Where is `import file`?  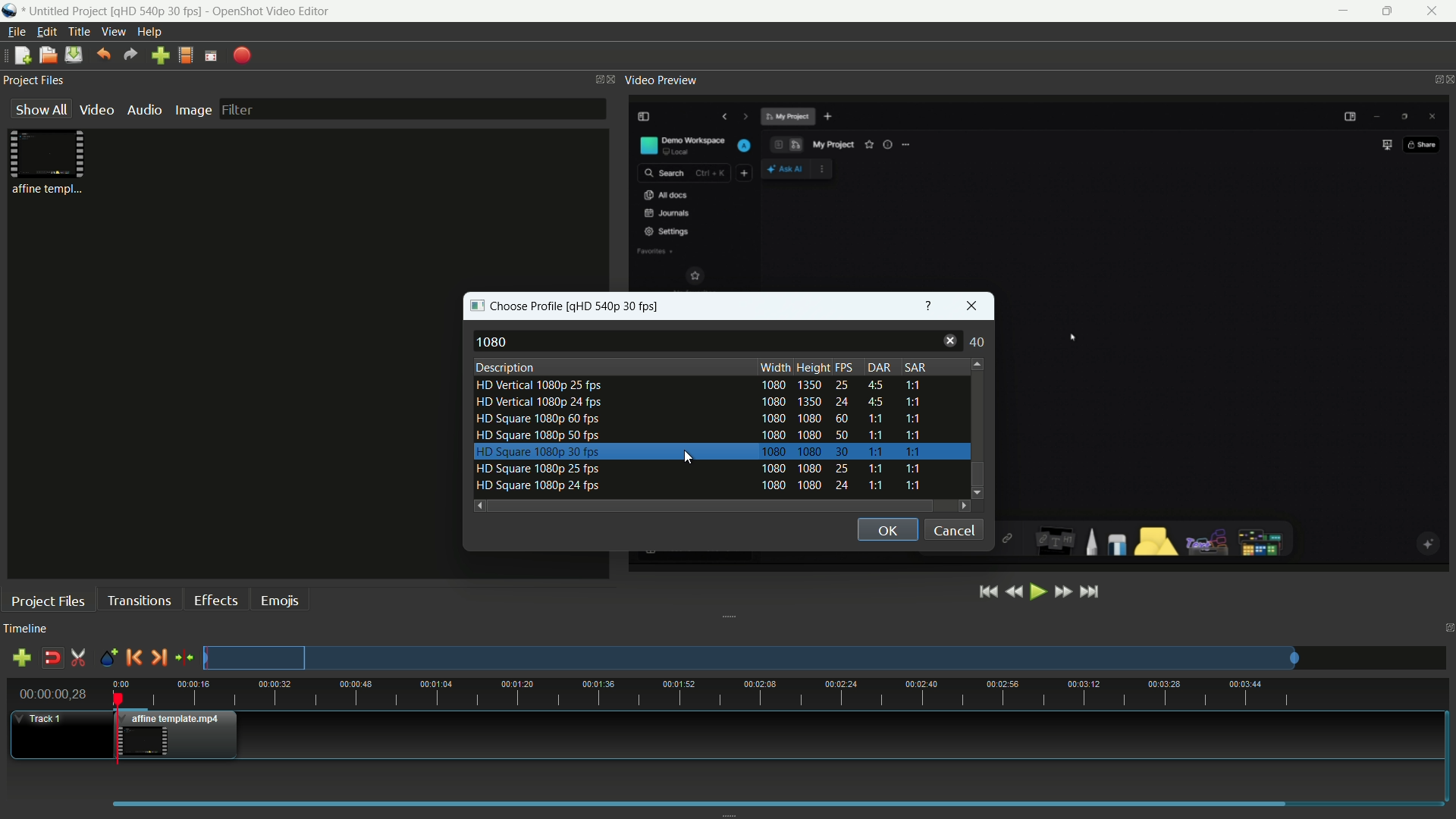 import file is located at coordinates (161, 56).